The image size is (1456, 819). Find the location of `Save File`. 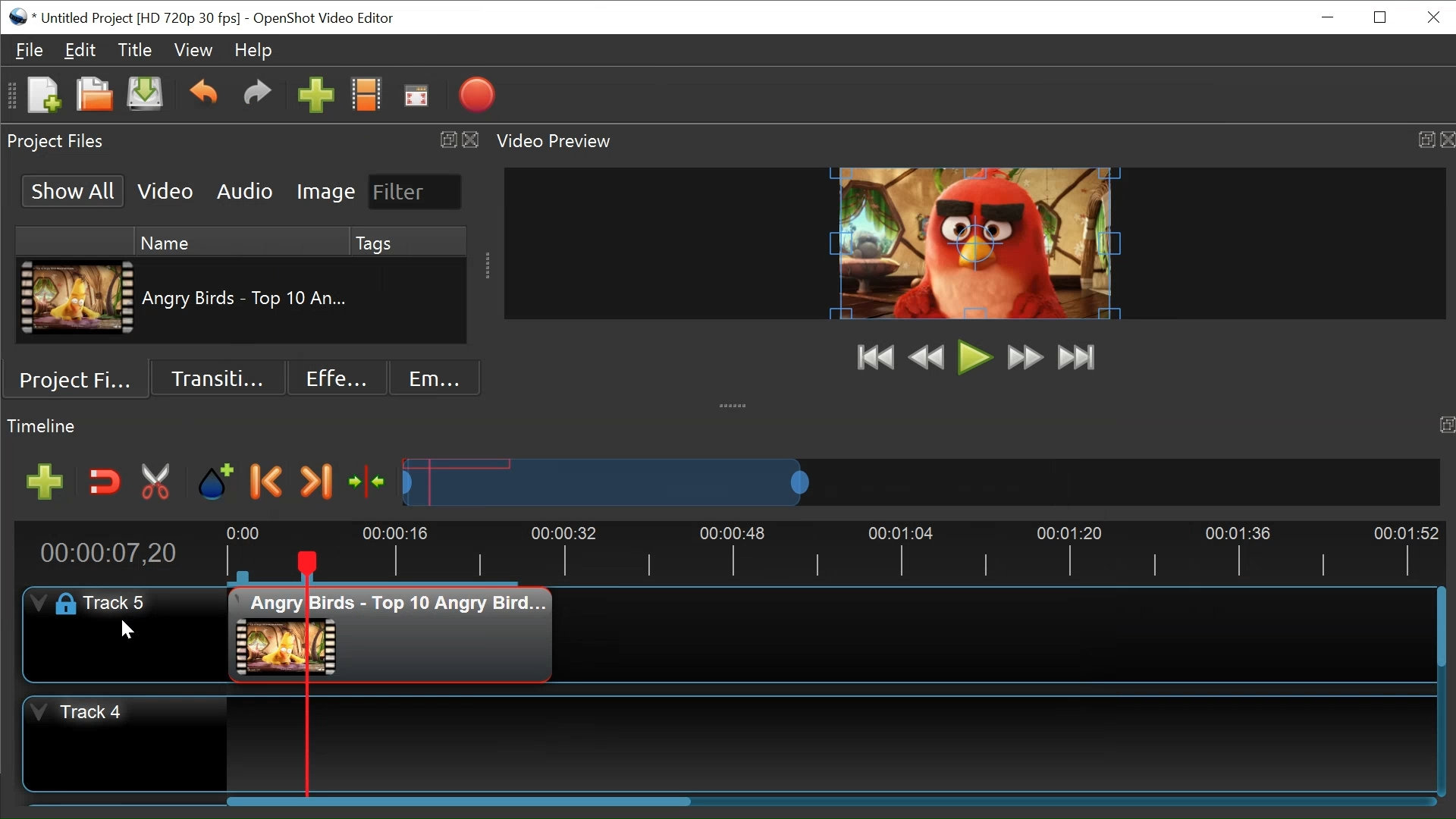

Save File is located at coordinates (147, 96).